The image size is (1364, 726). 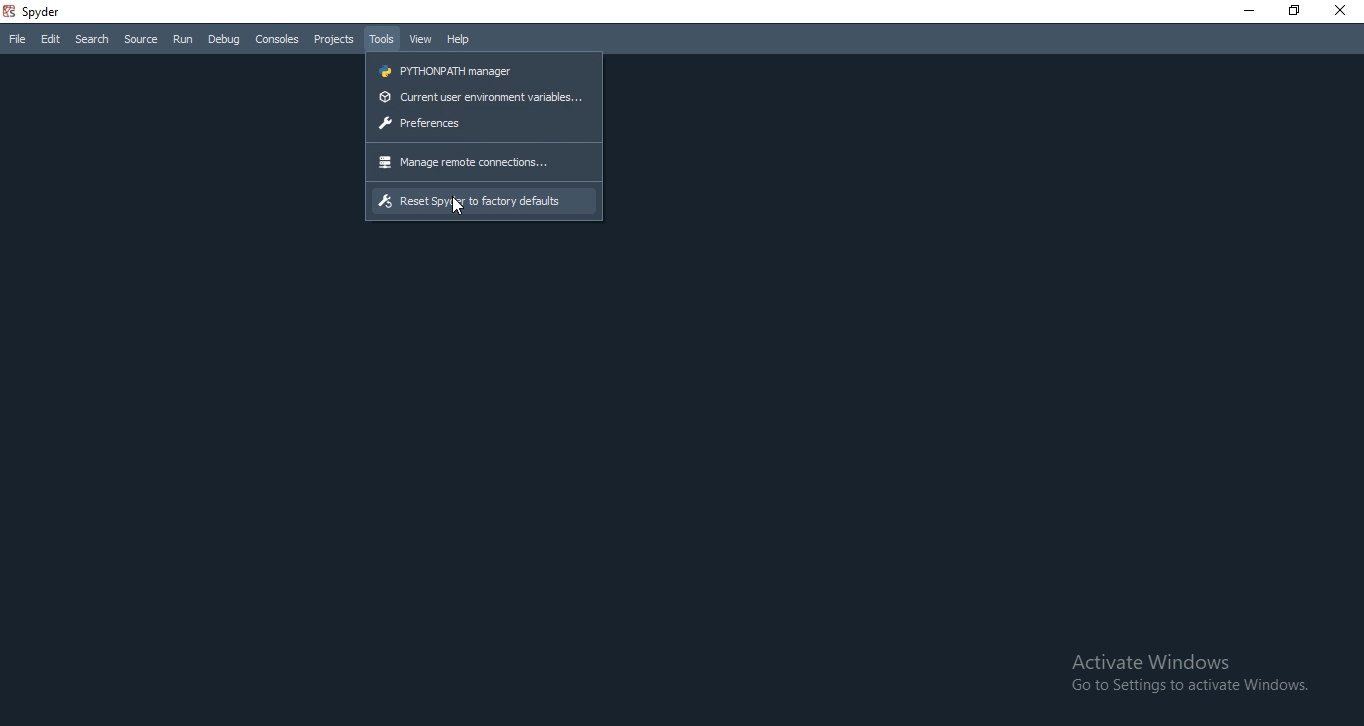 What do you see at coordinates (1191, 670) in the screenshot?
I see `Activate Windows
Go to Settings to activate Windows.` at bounding box center [1191, 670].